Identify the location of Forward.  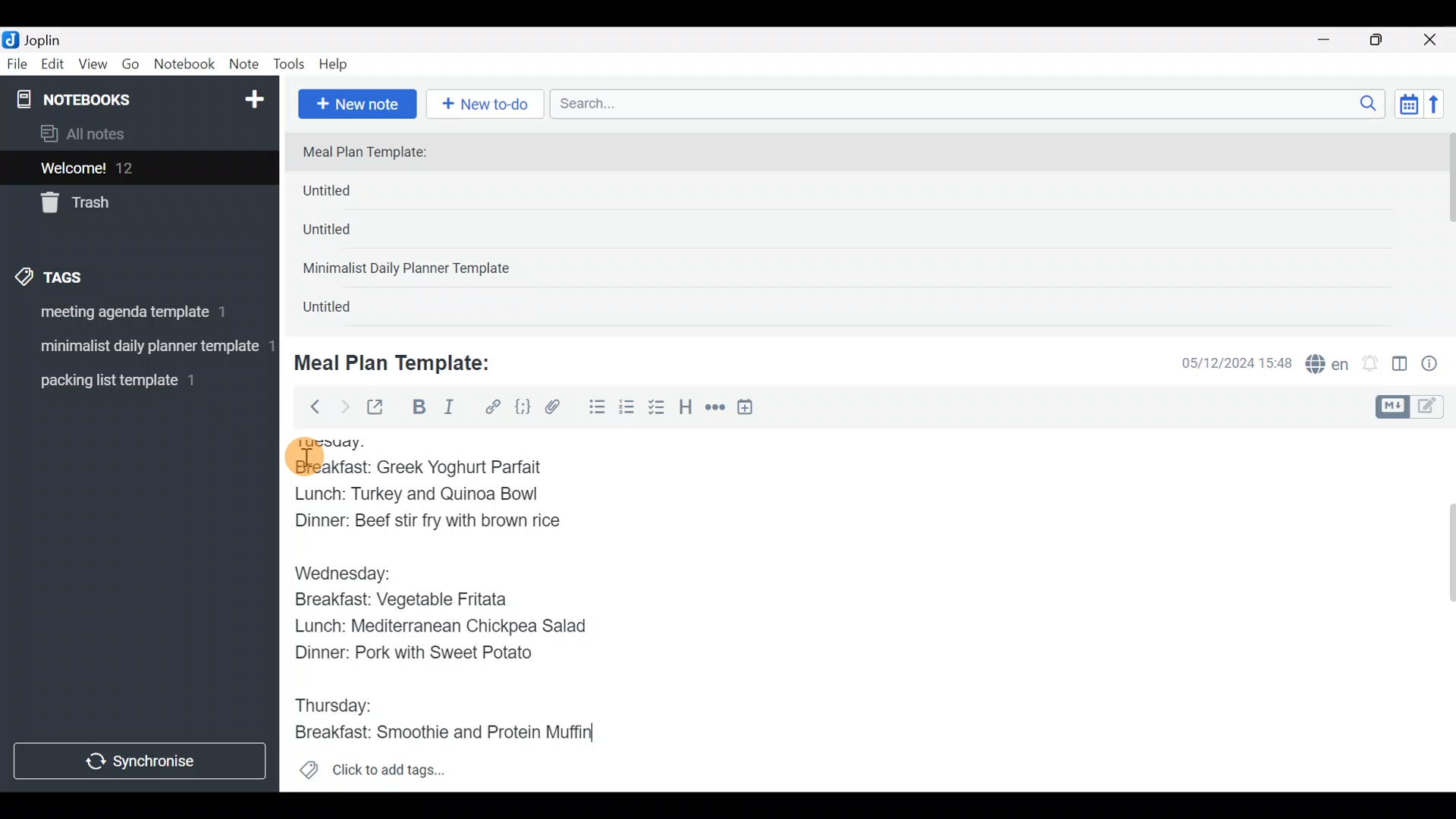
(344, 406).